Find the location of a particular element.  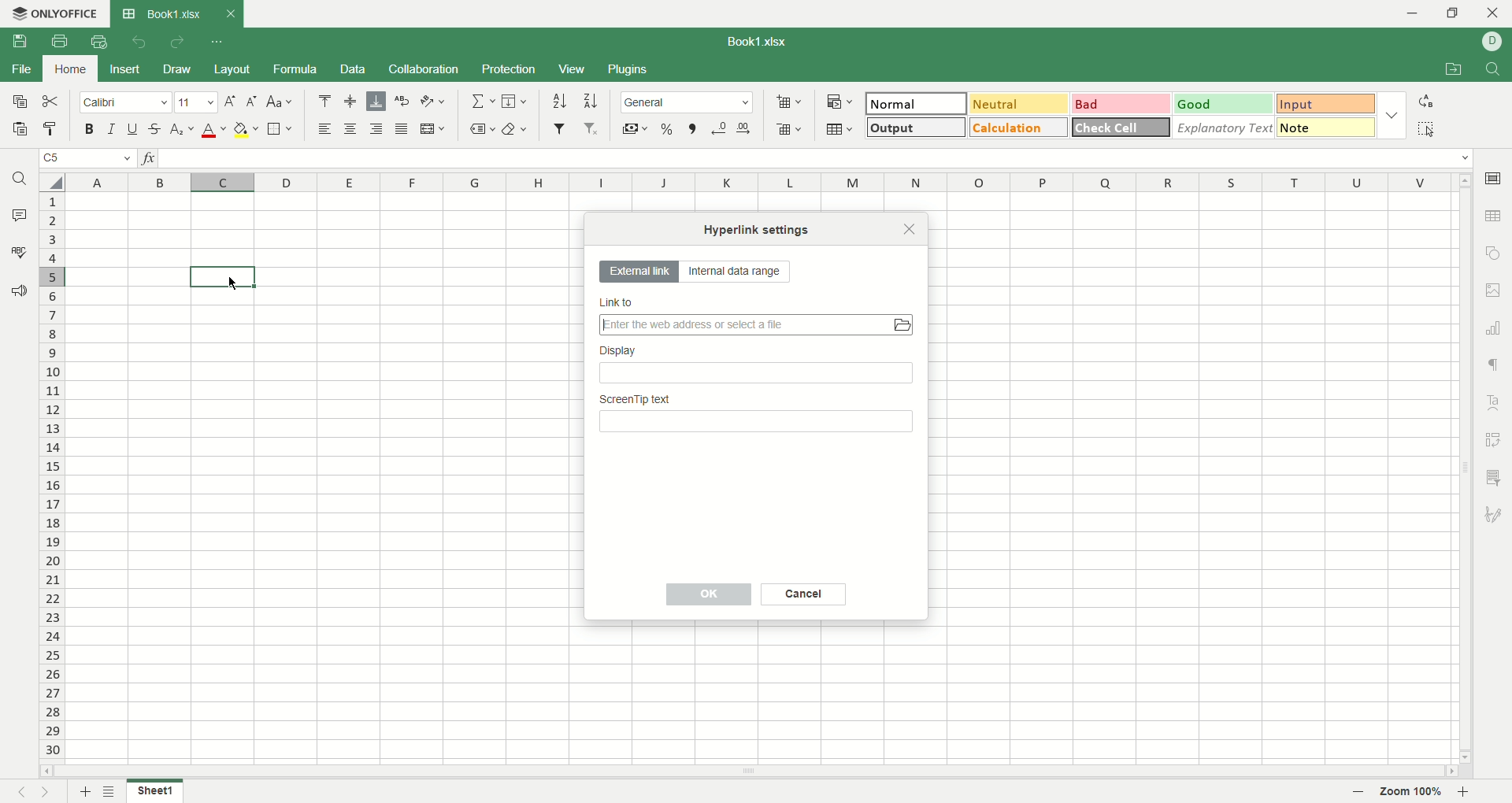

font size is located at coordinates (195, 103).